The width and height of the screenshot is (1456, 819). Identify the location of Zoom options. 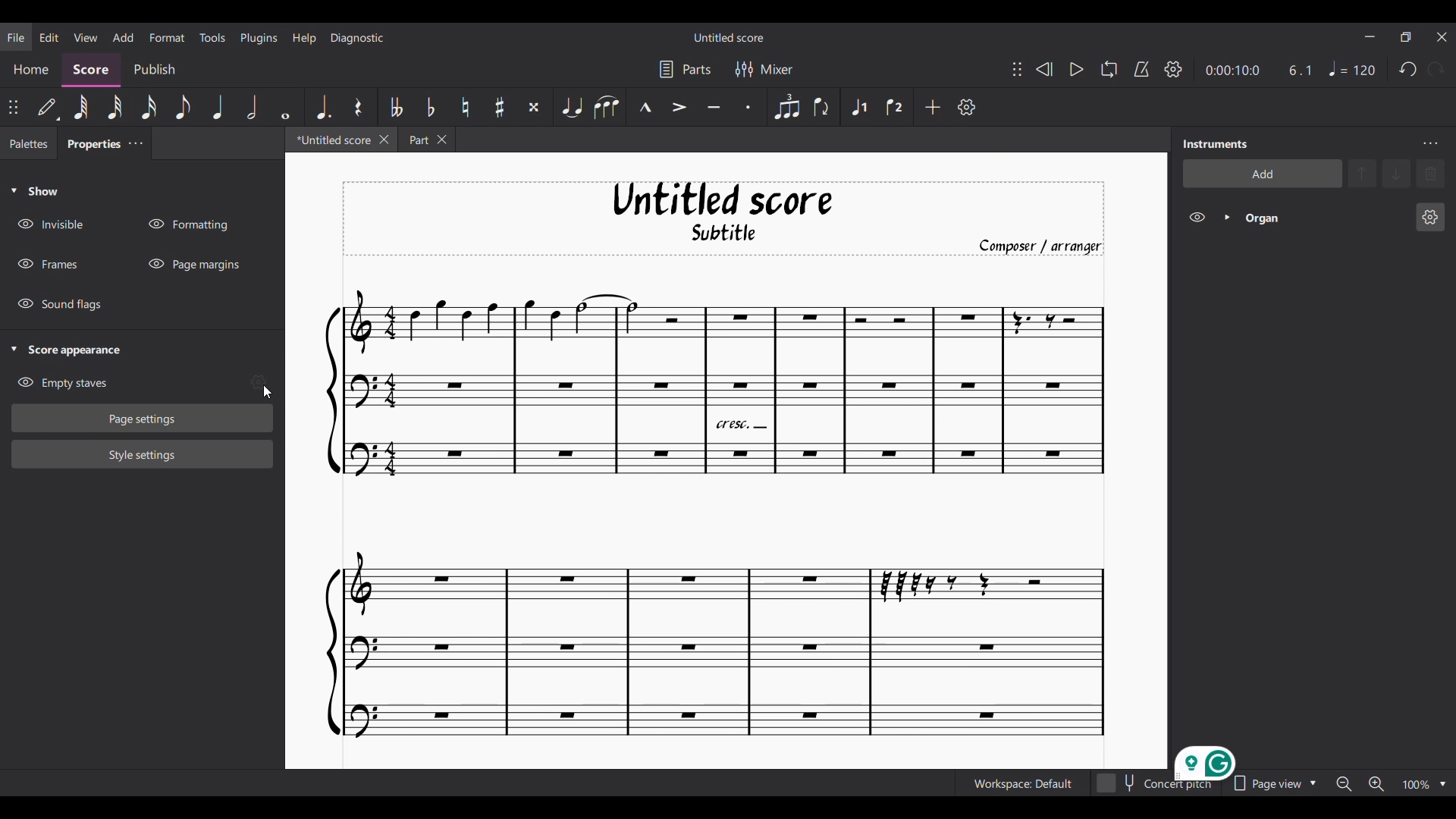
(1442, 785).